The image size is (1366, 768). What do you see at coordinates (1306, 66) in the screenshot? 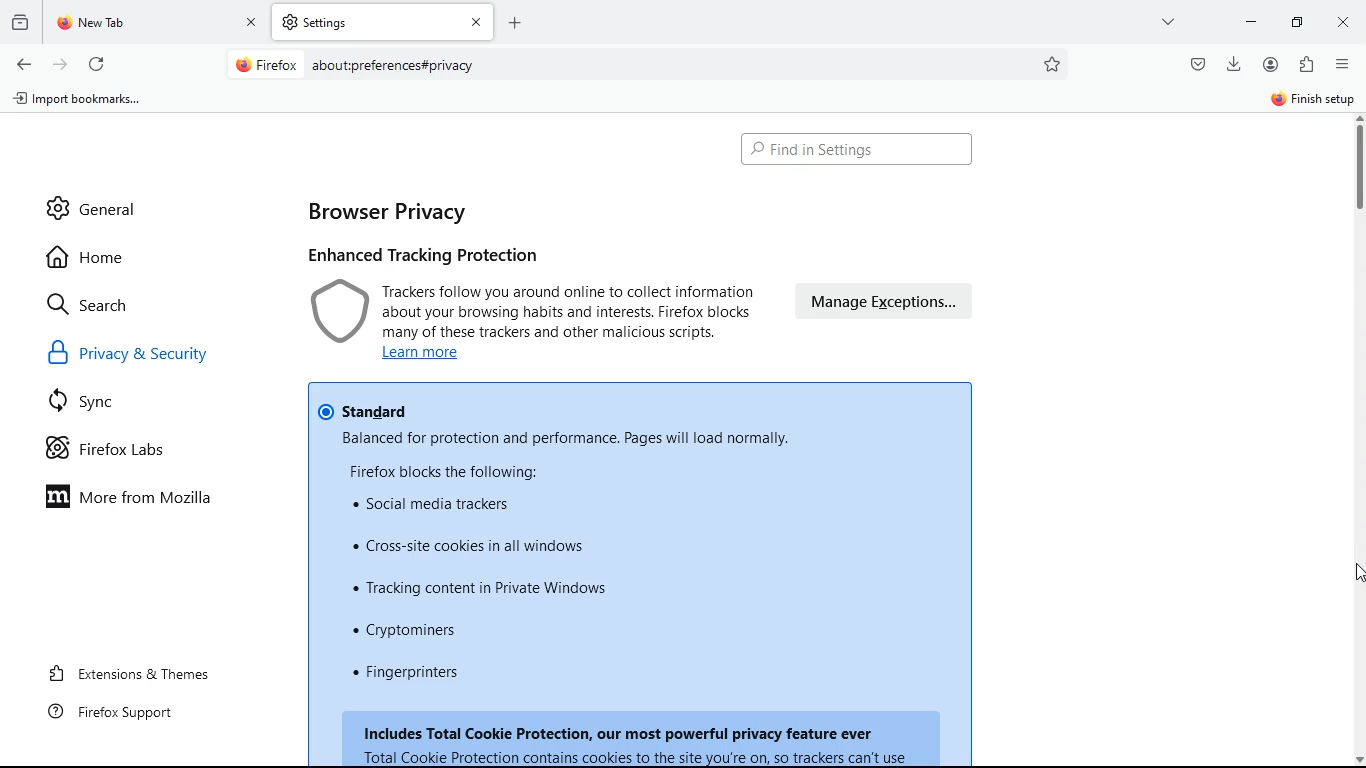
I see `extentions` at bounding box center [1306, 66].